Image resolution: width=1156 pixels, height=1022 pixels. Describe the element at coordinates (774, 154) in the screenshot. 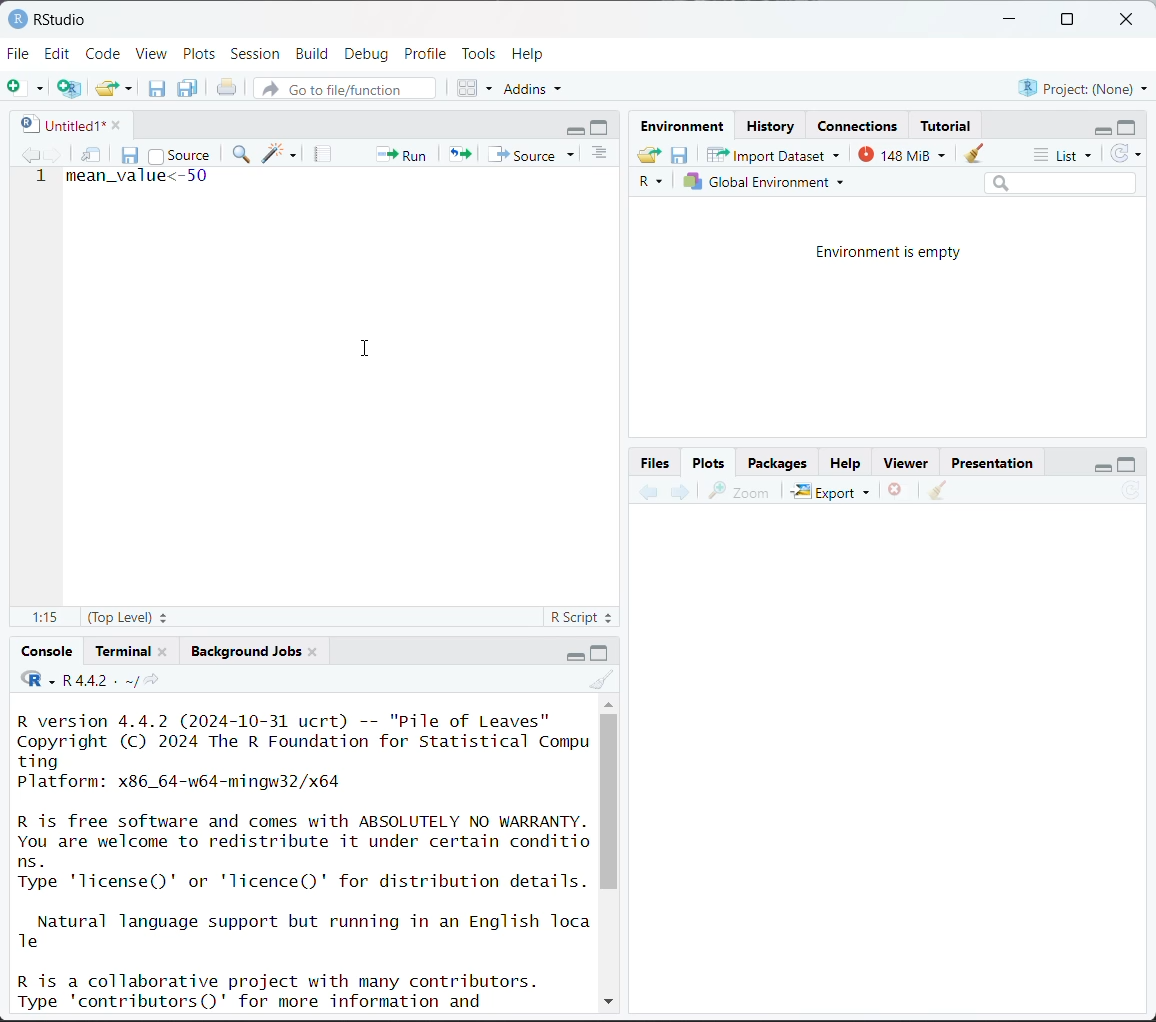

I see `Import Dataset` at that location.